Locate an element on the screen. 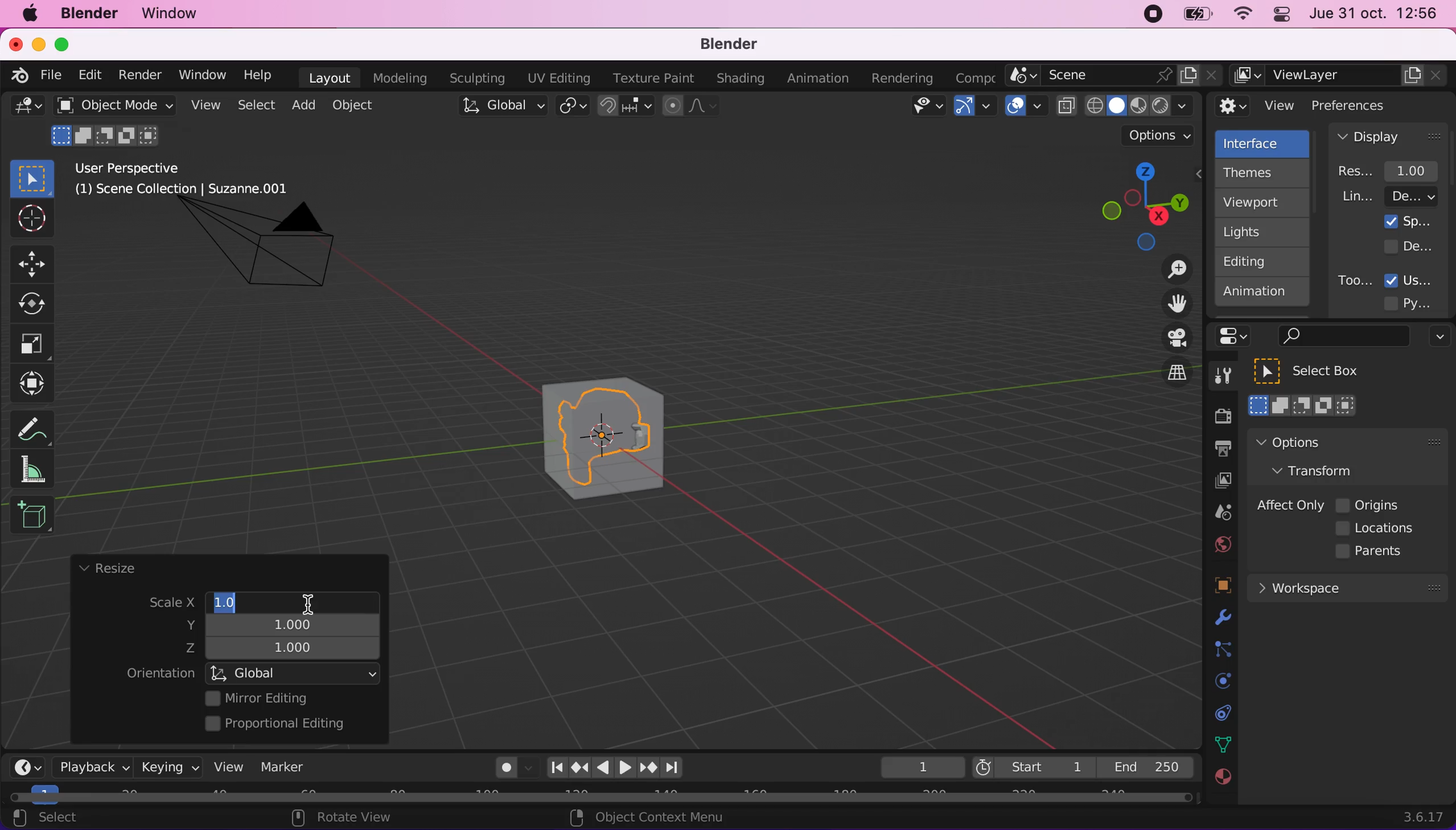 The width and height of the screenshot is (1456, 830). orientation is located at coordinates (160, 674).